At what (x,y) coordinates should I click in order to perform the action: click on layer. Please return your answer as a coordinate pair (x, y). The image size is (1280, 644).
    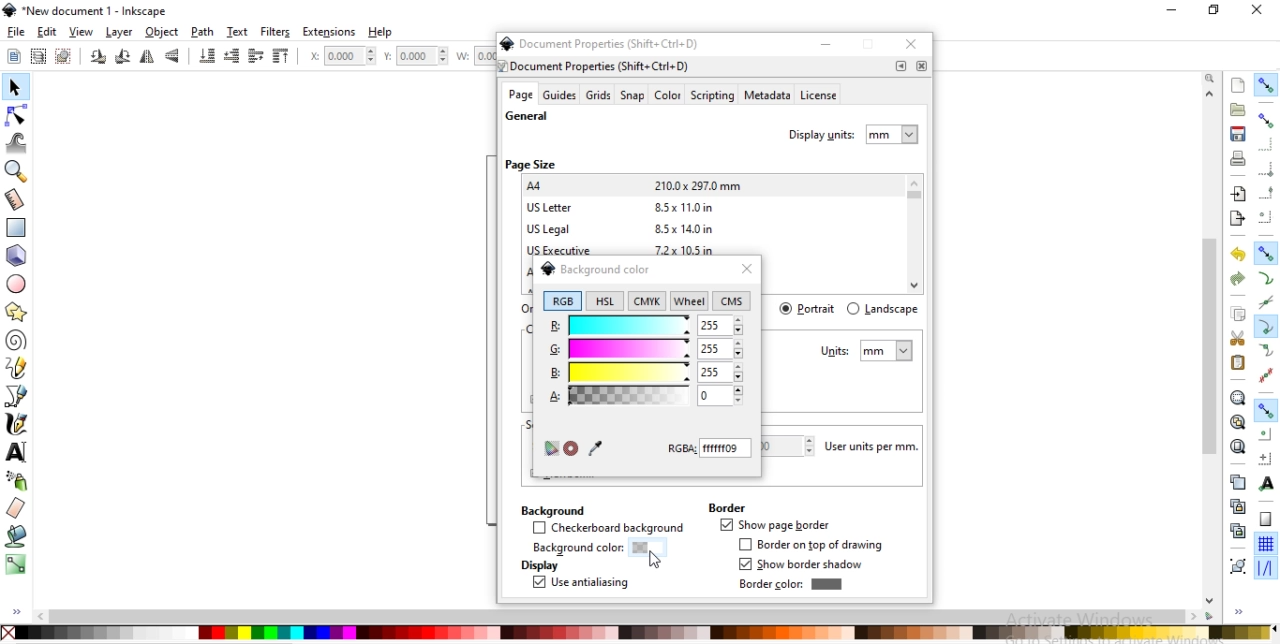
    Looking at the image, I should click on (120, 33).